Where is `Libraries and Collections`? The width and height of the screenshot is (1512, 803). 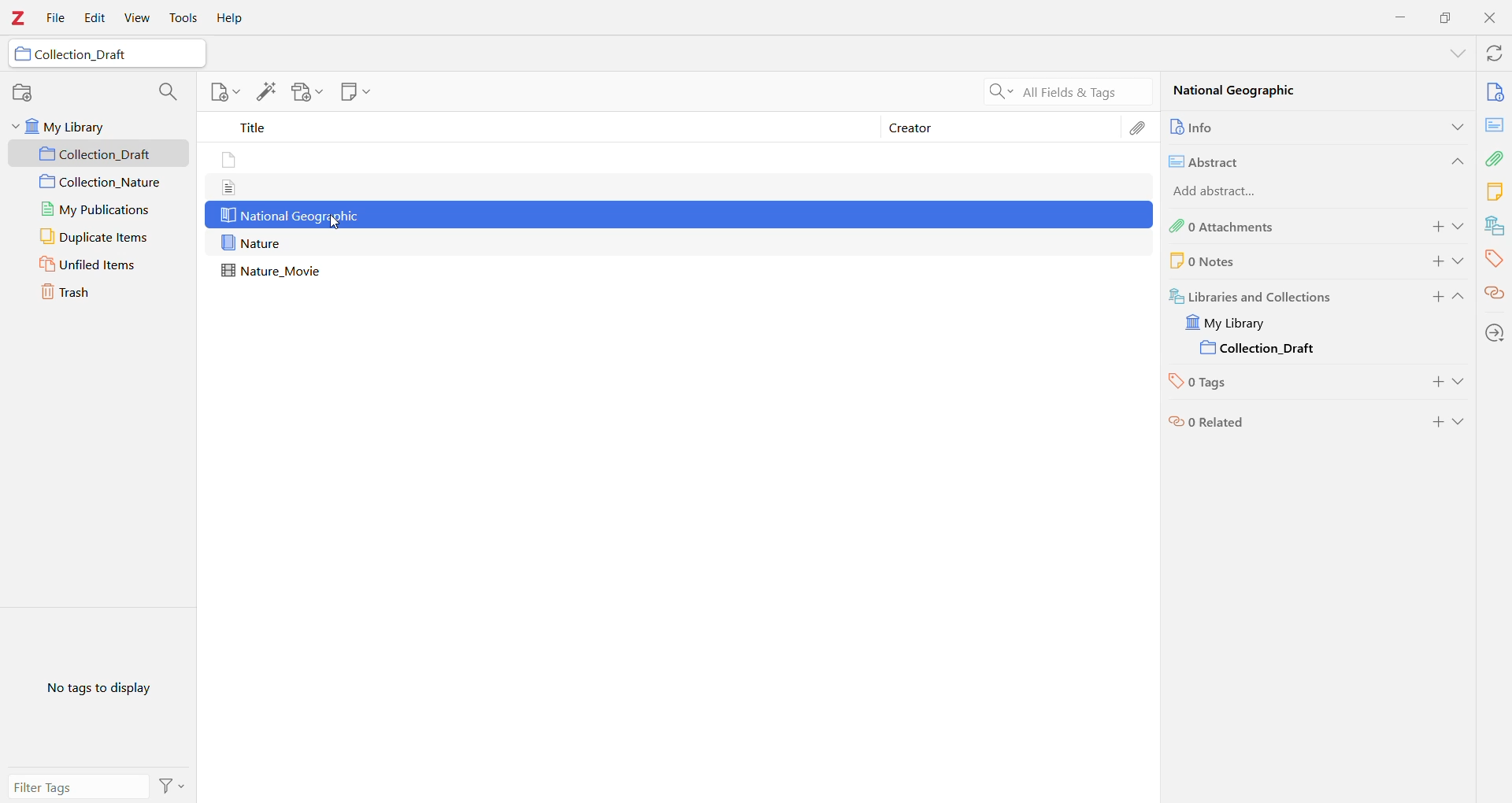
Libraries and Collections is located at coordinates (1493, 226).